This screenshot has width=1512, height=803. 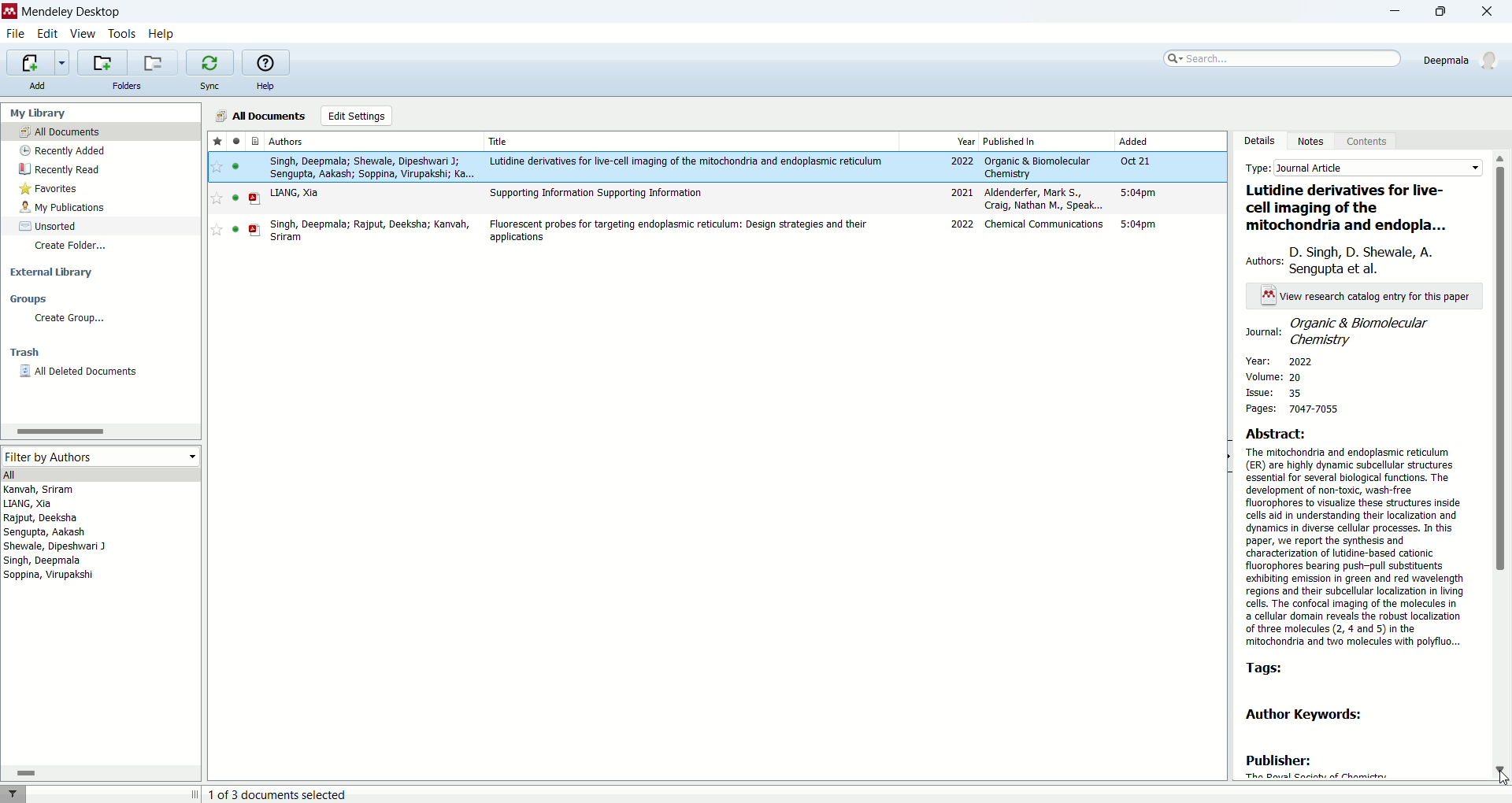 I want to click on content, so click(x=1364, y=142).